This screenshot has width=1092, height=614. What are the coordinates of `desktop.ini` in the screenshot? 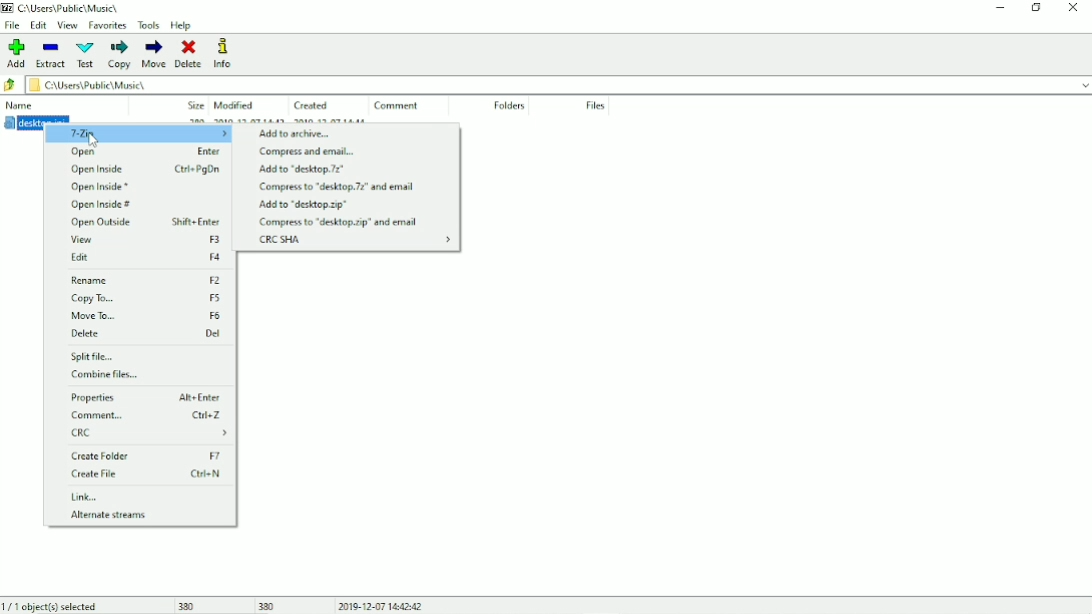 It's located at (184, 120).